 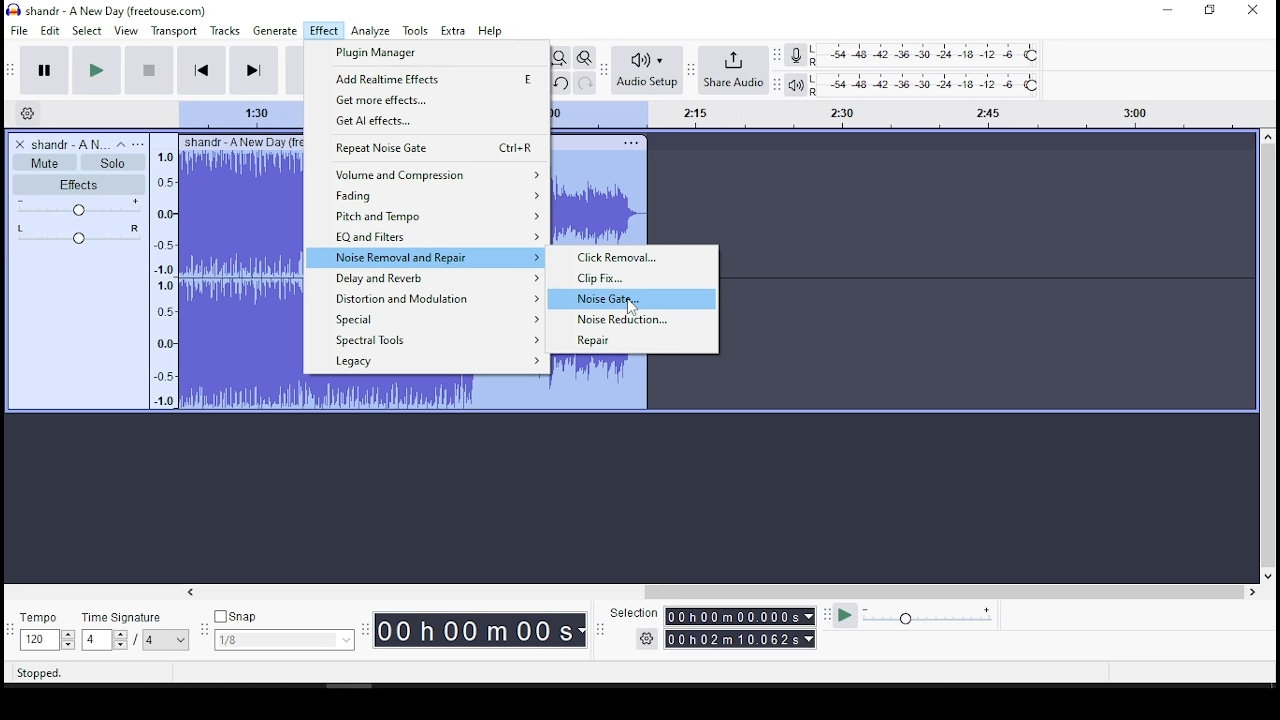 I want to click on time signature, so click(x=136, y=631).